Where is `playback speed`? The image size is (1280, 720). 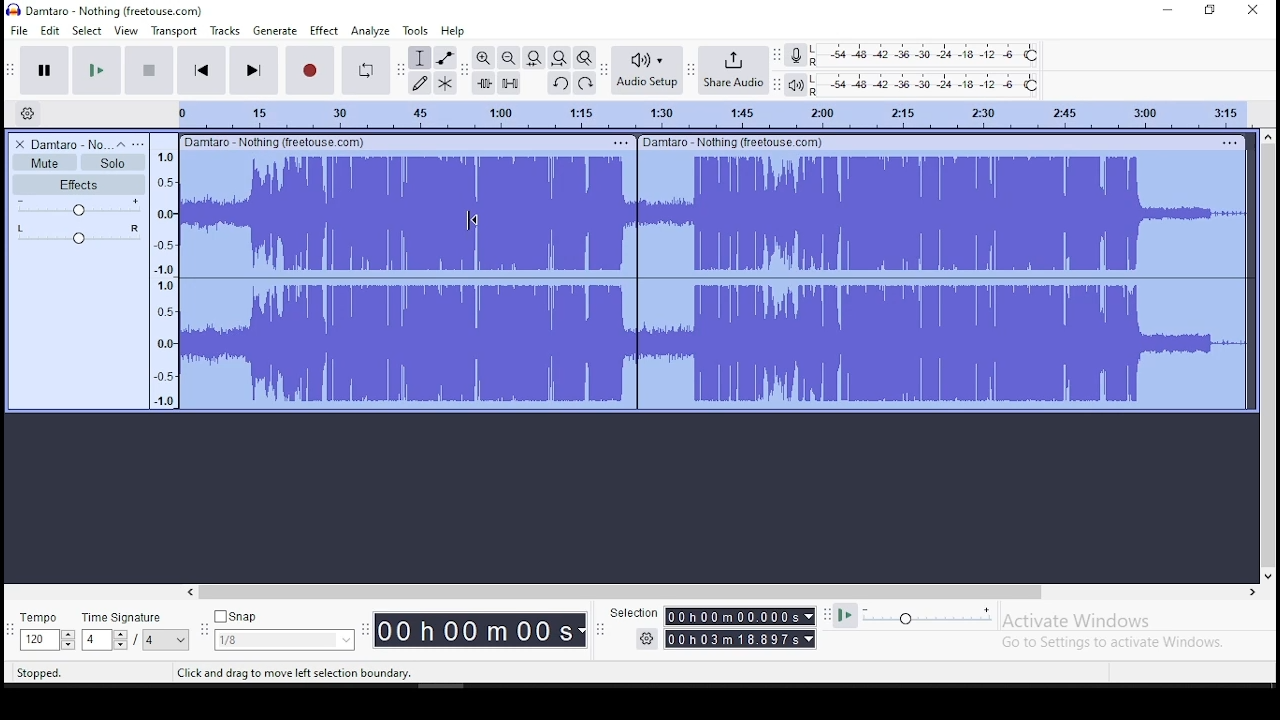 playback speed is located at coordinates (928, 617).